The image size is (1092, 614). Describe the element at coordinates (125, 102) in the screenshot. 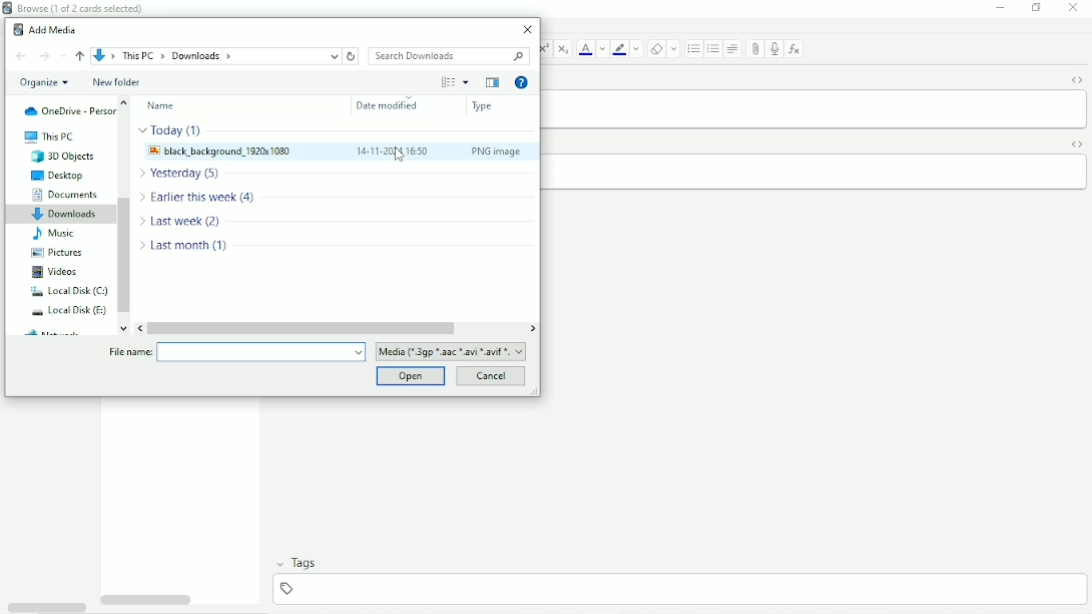

I see `move up` at that location.